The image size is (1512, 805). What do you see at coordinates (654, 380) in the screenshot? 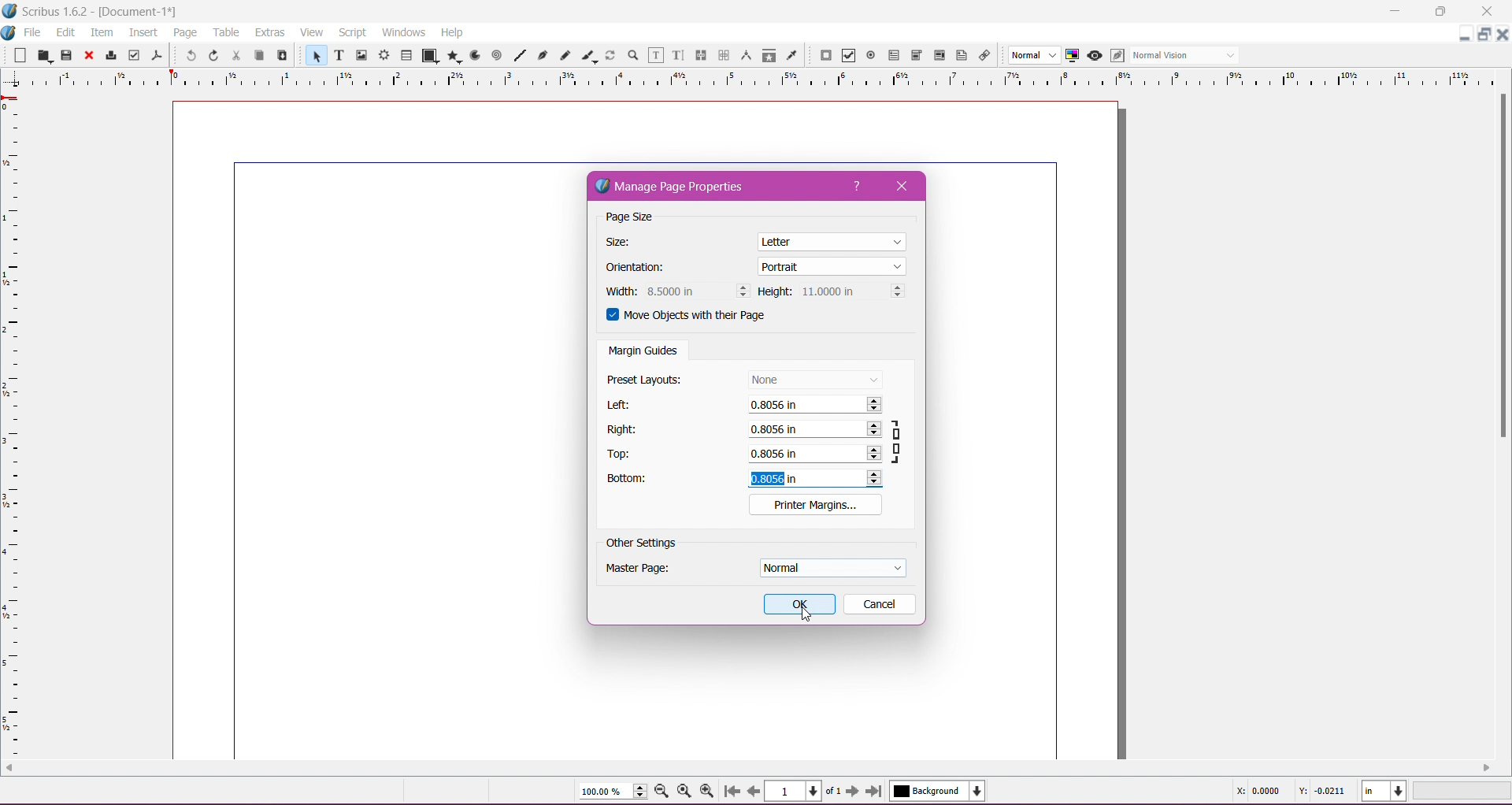
I see `` at bounding box center [654, 380].